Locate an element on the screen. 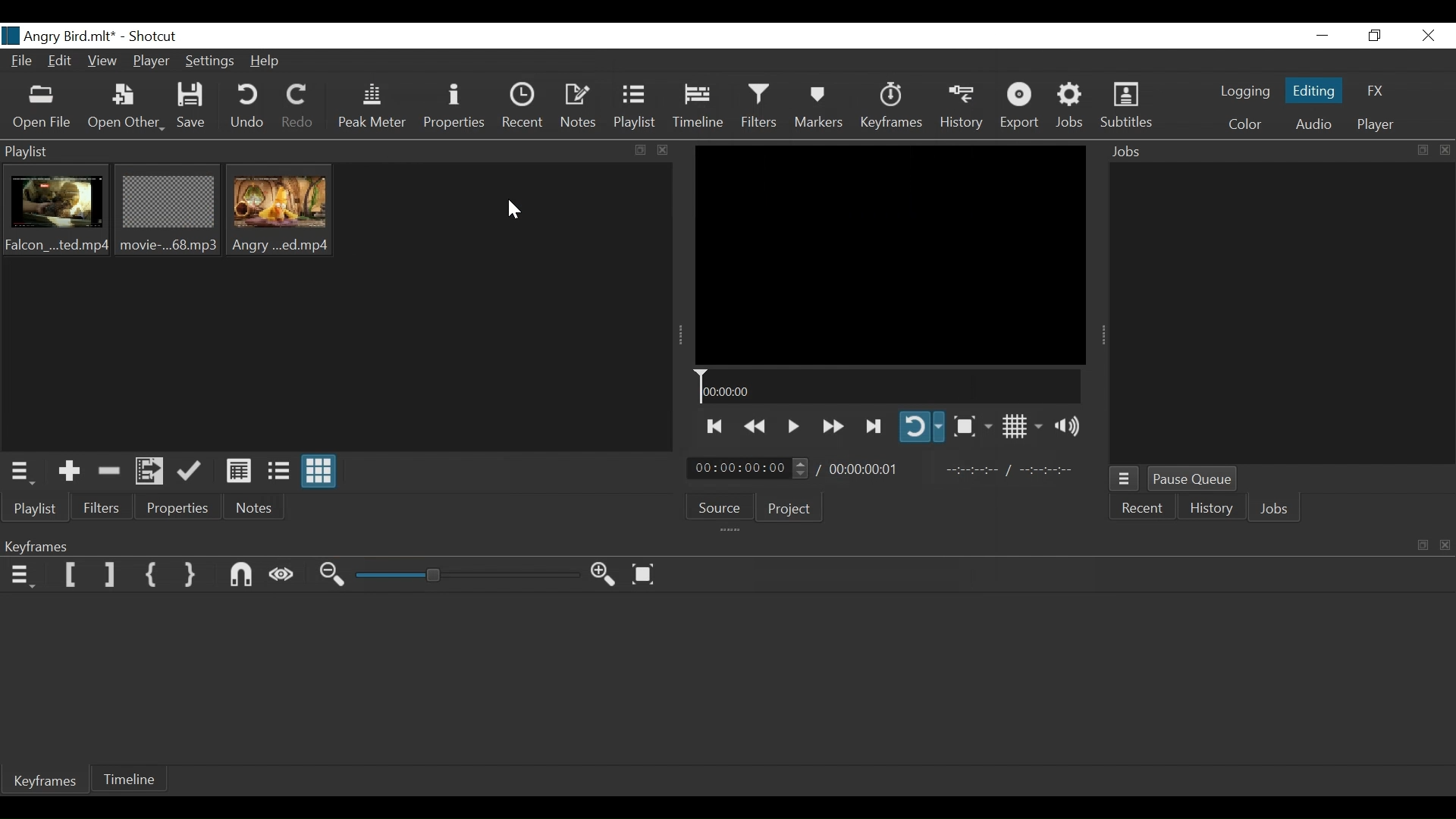 The height and width of the screenshot is (819, 1456). Recent is located at coordinates (1144, 510).